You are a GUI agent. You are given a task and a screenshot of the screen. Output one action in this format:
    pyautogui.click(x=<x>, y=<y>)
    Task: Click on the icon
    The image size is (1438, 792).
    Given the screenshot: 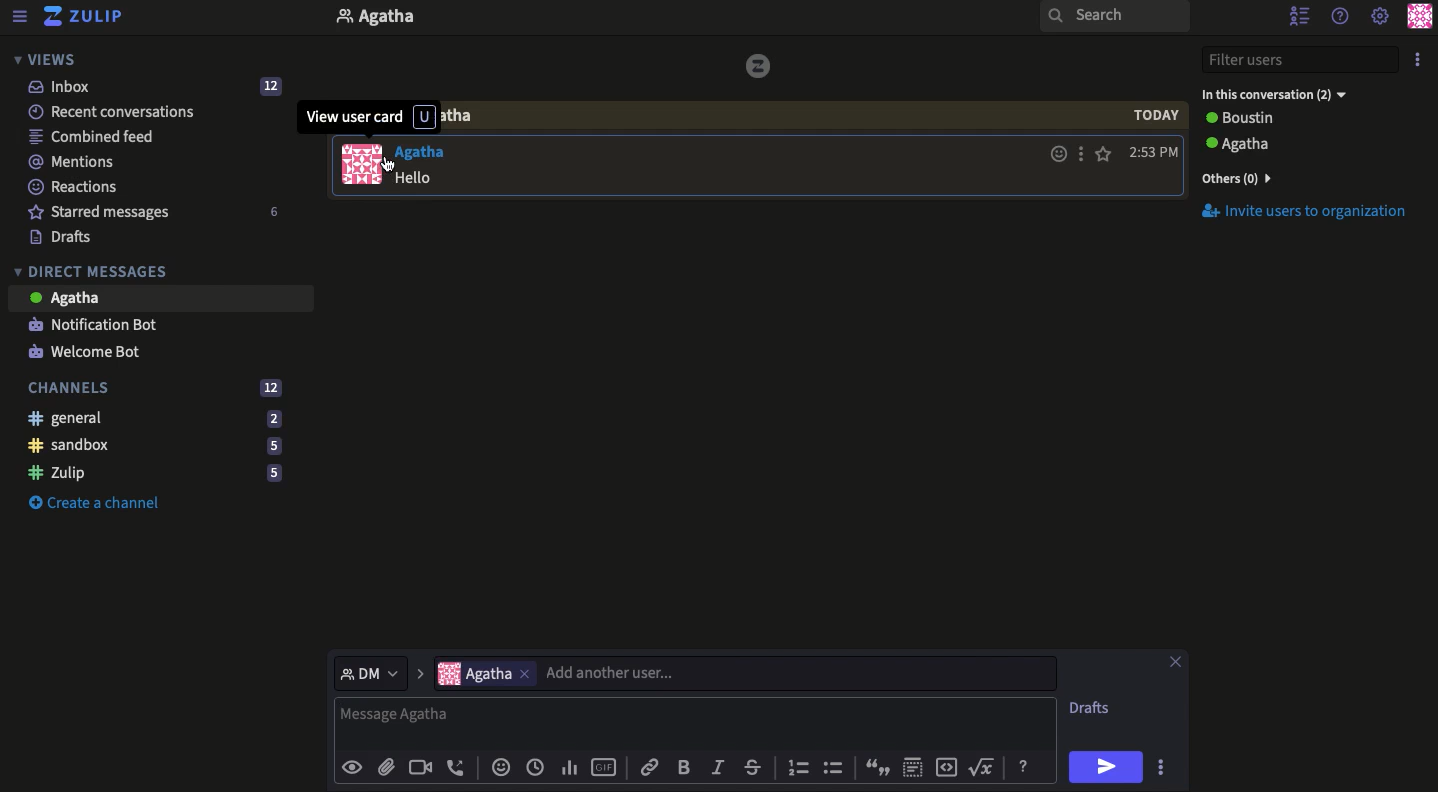 What is the action you would take?
    pyautogui.click(x=760, y=66)
    